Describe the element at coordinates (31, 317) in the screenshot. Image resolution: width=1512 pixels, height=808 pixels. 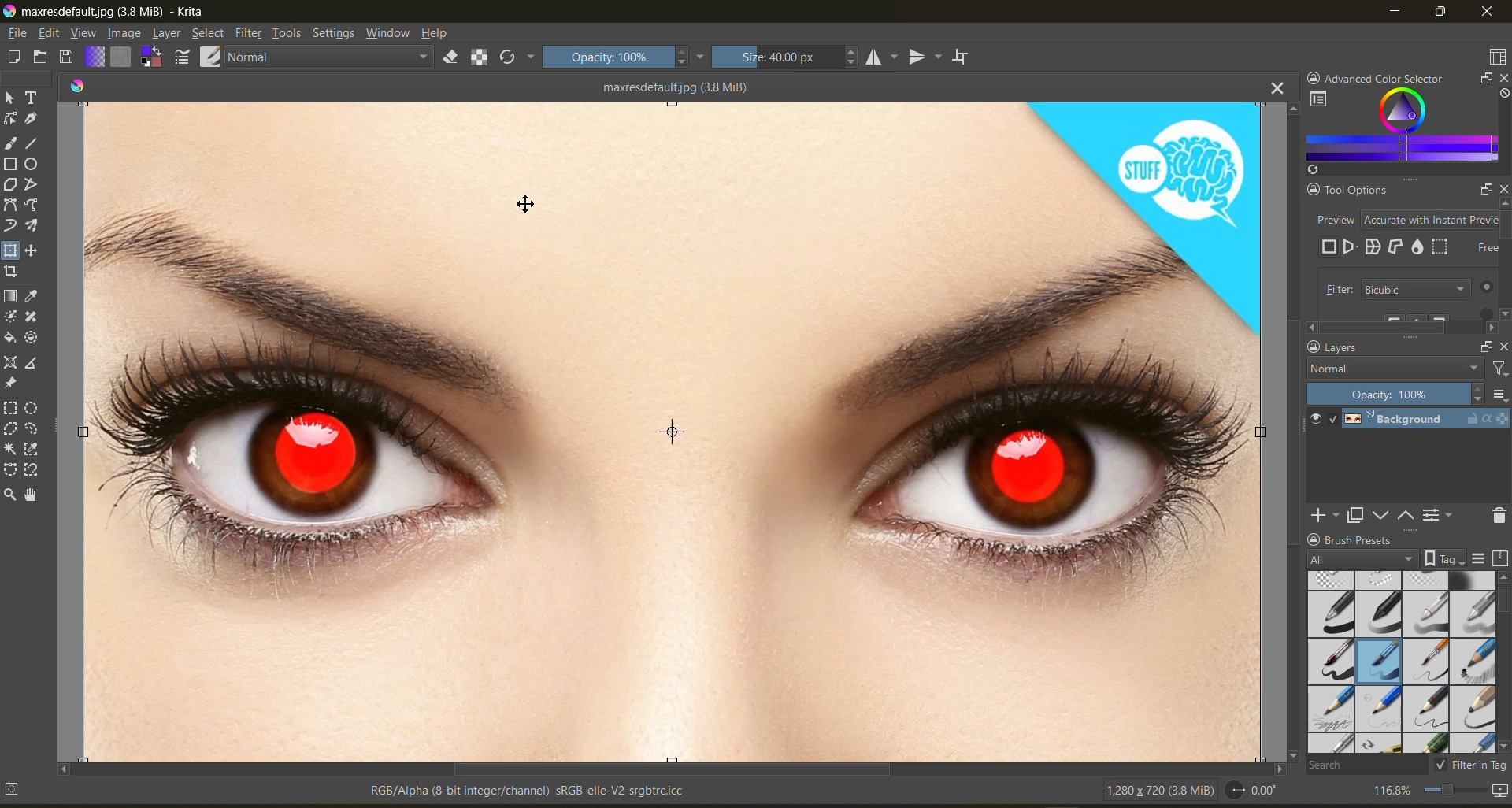
I see `tool` at that location.